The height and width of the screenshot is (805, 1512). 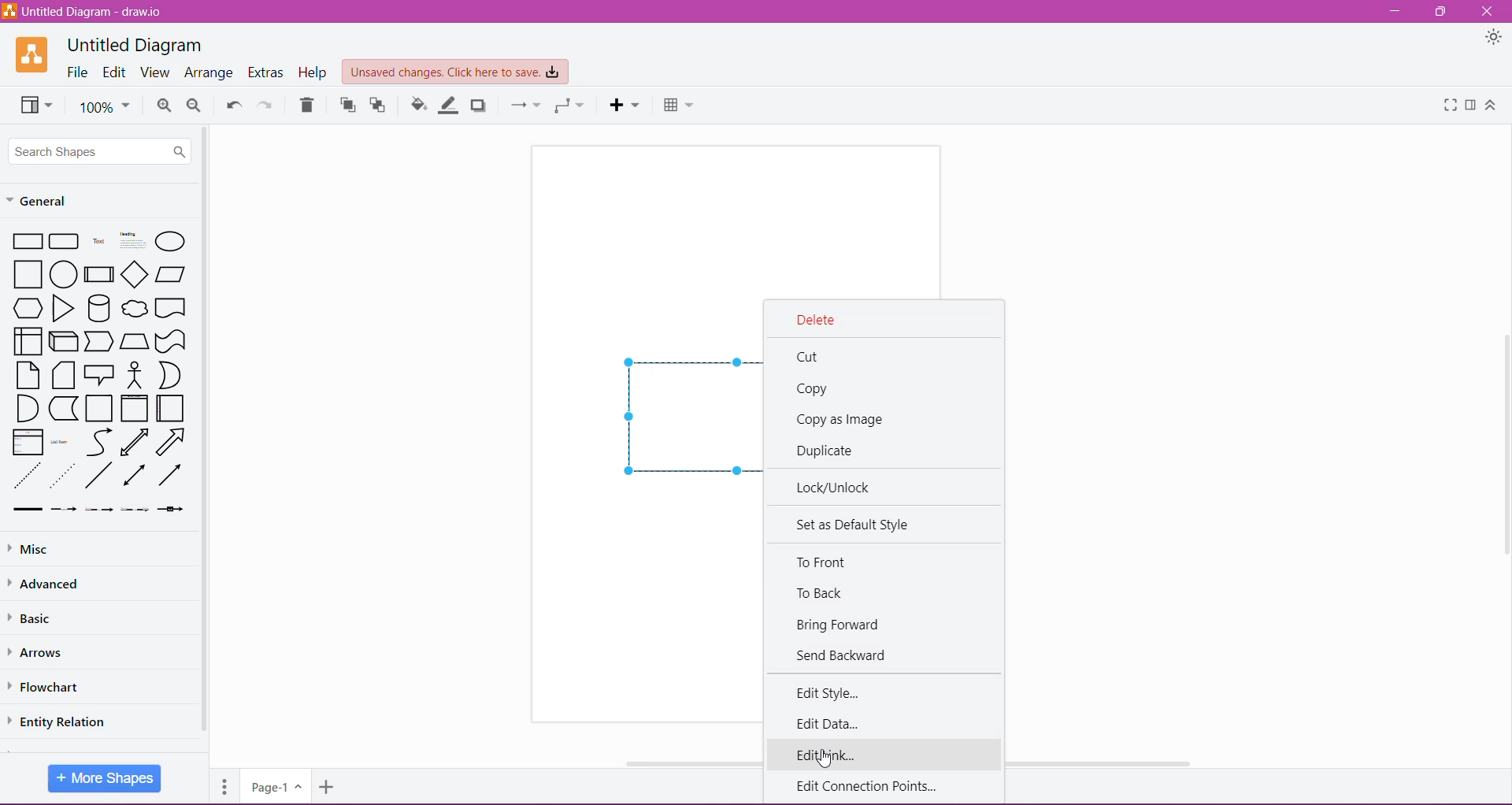 I want to click on Lock/Unlock, so click(x=837, y=487).